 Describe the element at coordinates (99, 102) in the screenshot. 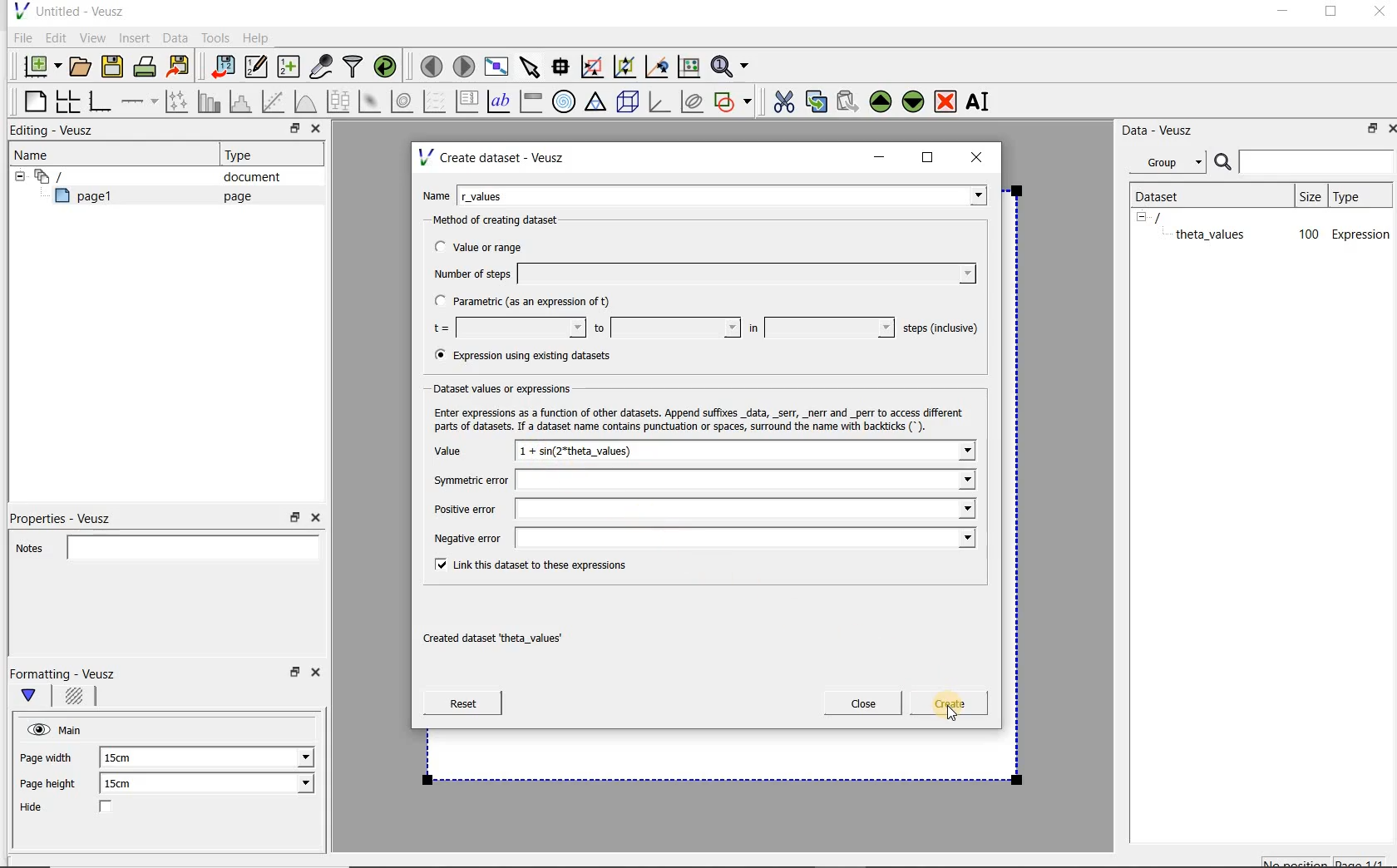

I see `base graph` at that location.